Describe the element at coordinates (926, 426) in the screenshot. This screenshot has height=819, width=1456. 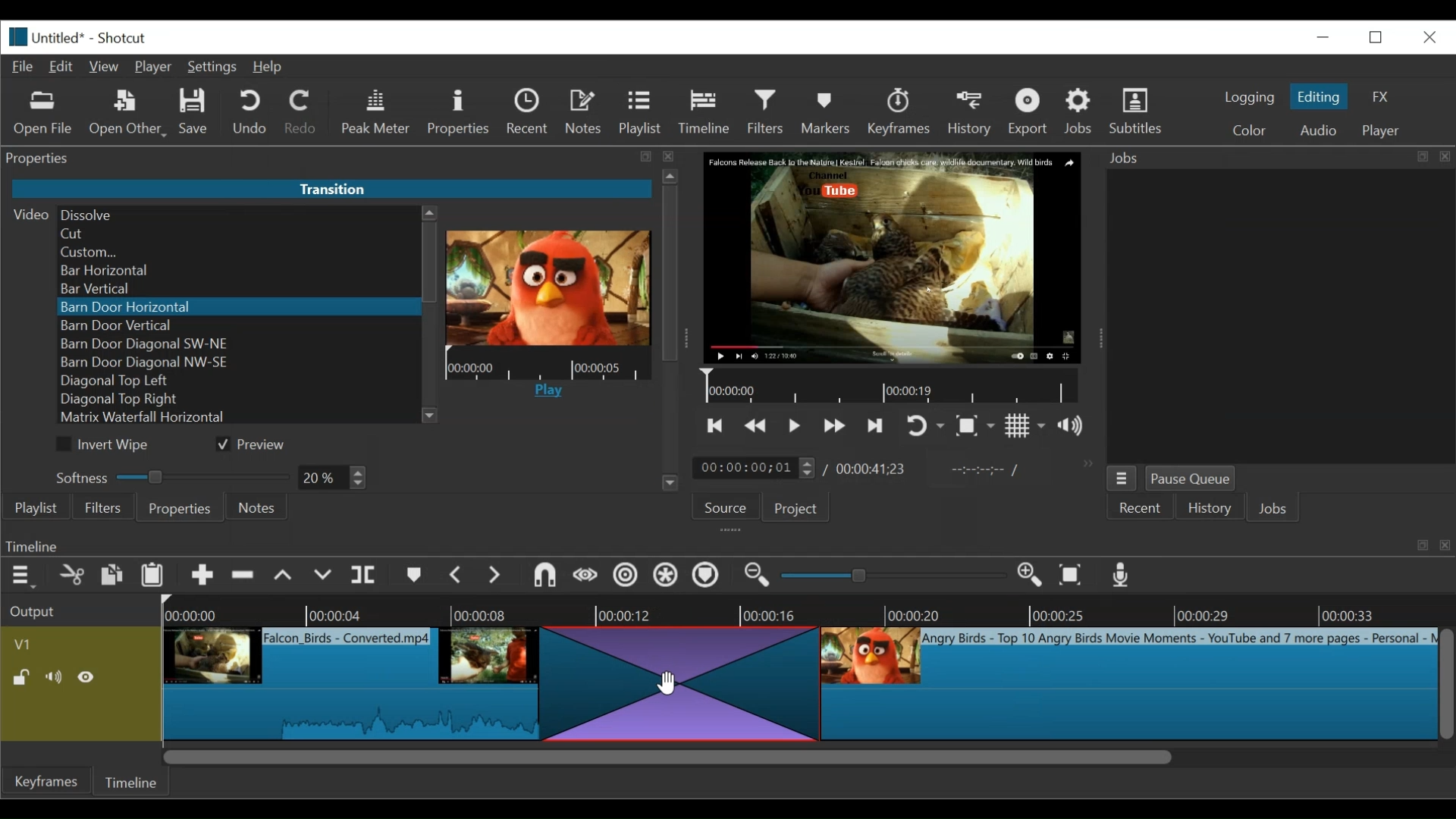
I see `Toggle player looping` at that location.